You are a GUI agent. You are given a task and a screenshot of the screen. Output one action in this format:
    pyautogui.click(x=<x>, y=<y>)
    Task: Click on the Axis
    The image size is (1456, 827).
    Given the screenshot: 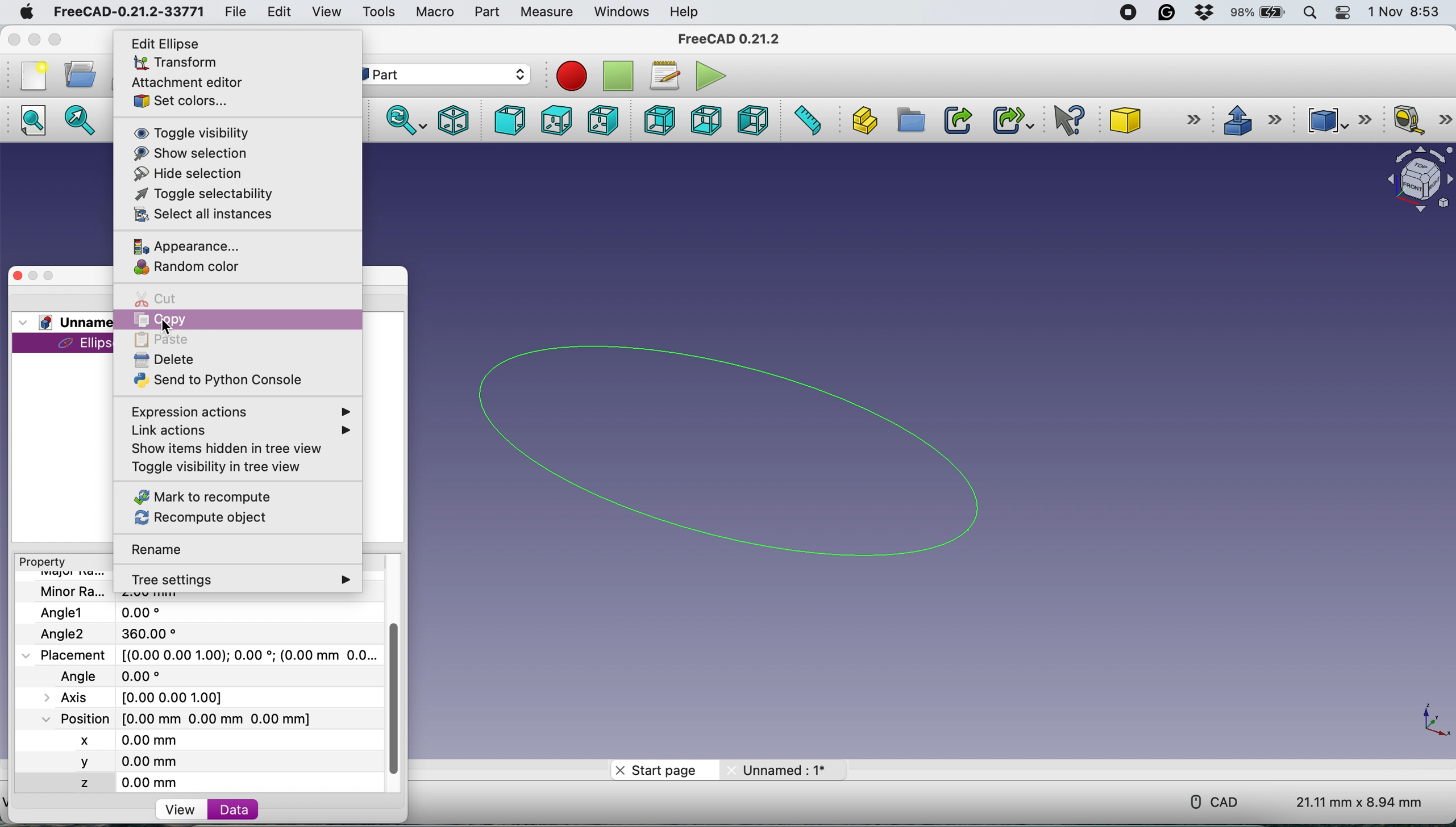 What is the action you would take?
    pyautogui.click(x=144, y=695)
    